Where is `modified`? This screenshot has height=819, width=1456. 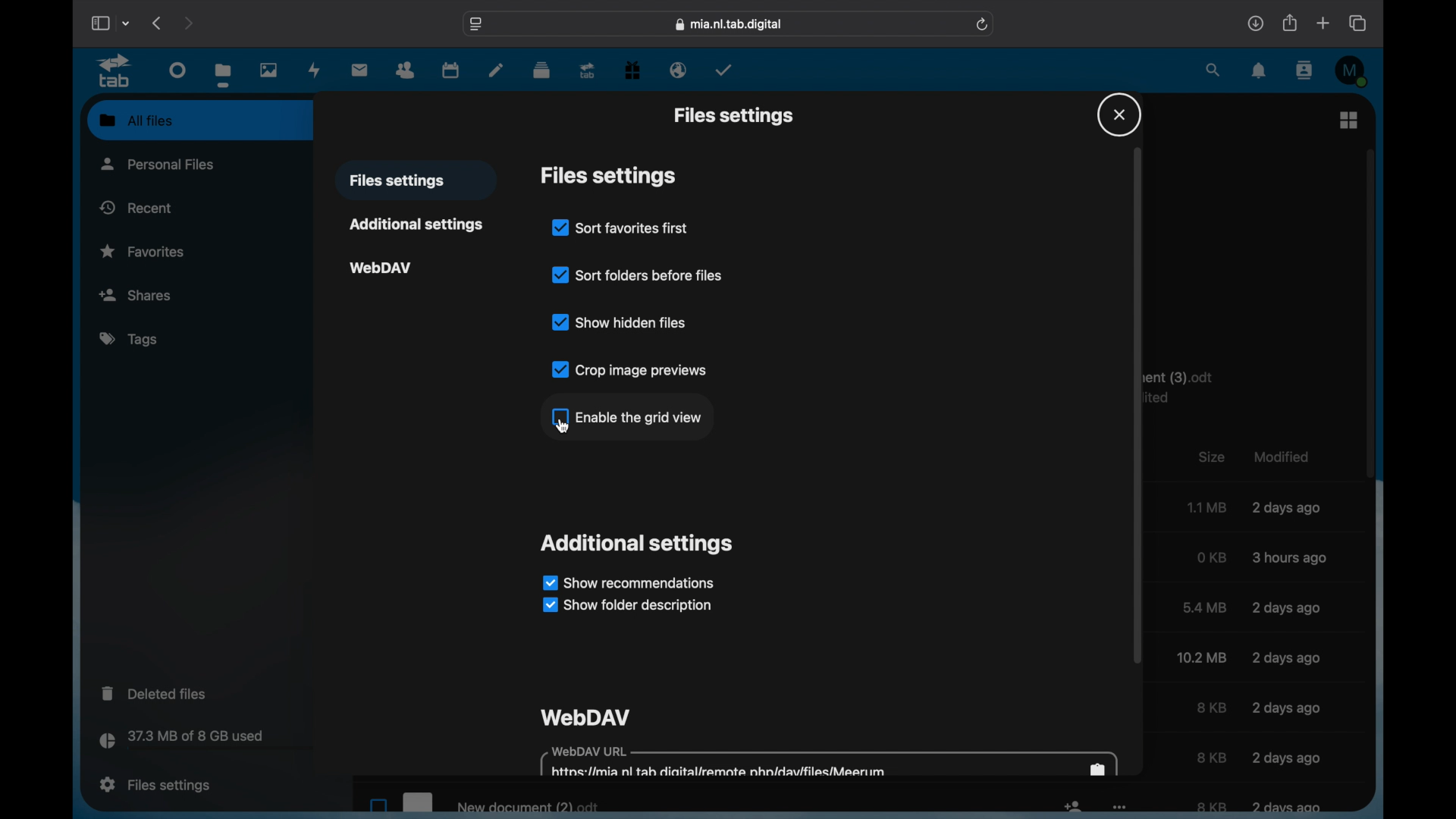
modified is located at coordinates (1285, 607).